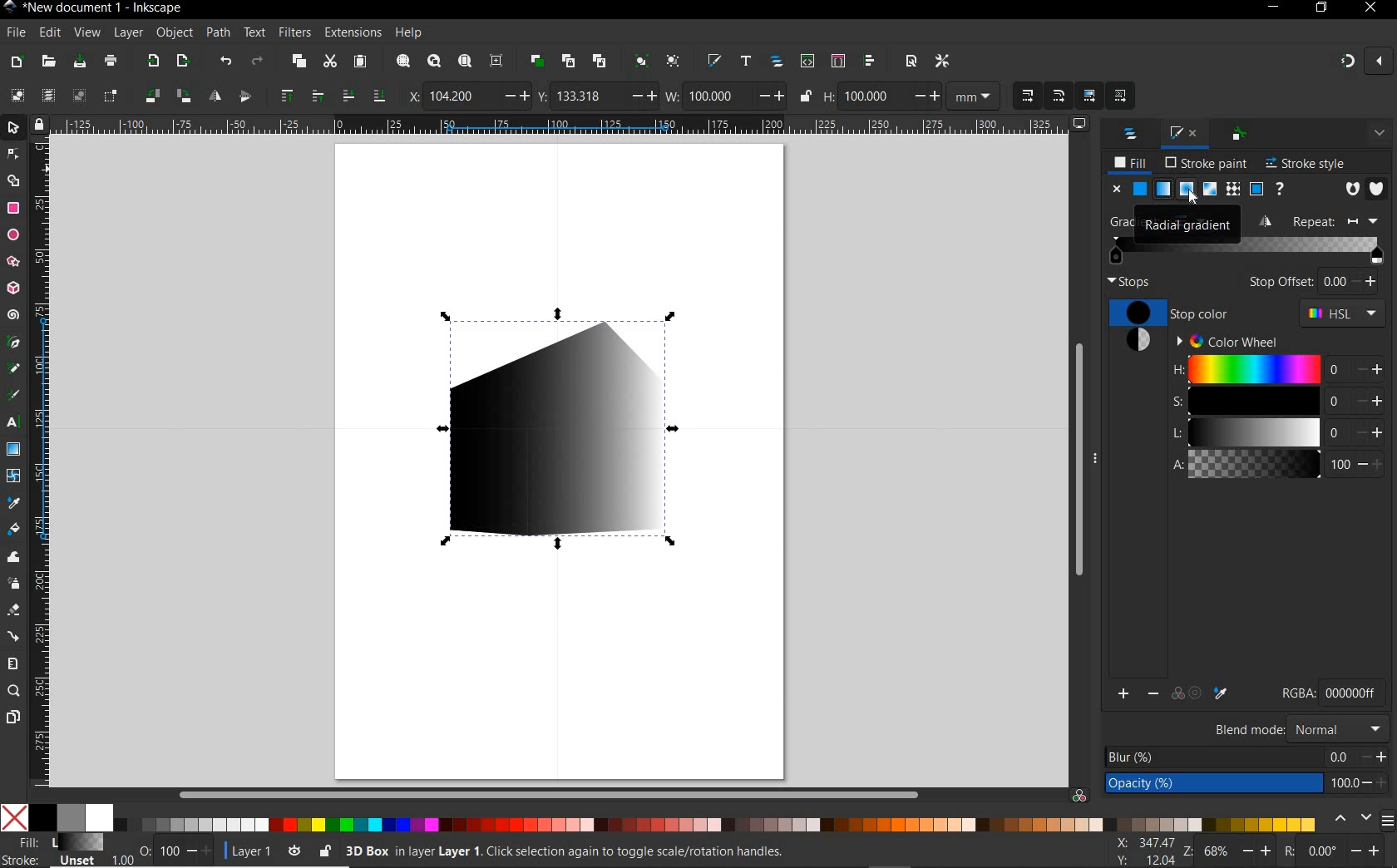 Image resolution: width=1397 pixels, height=868 pixels. What do you see at coordinates (514, 96) in the screenshot?
I see `increase/decrease` at bounding box center [514, 96].